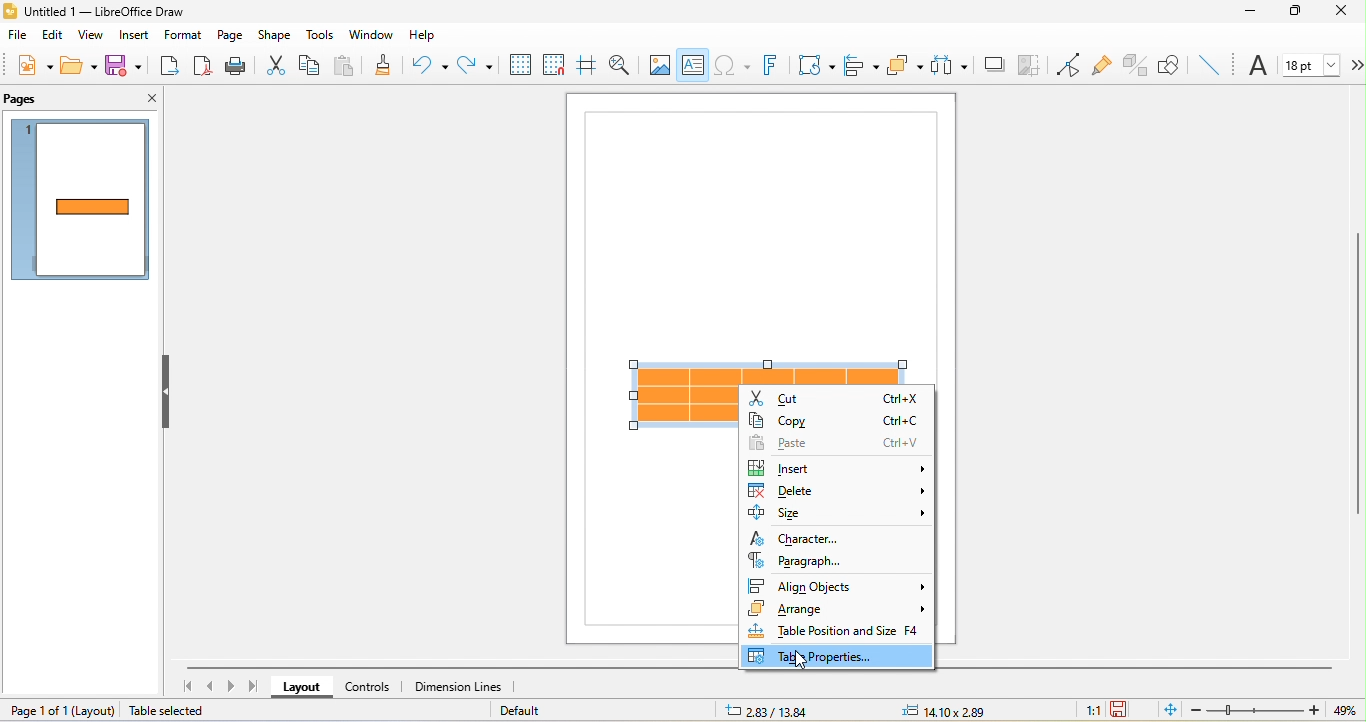 The width and height of the screenshot is (1366, 722). What do you see at coordinates (1254, 711) in the screenshot?
I see `zoom` at bounding box center [1254, 711].